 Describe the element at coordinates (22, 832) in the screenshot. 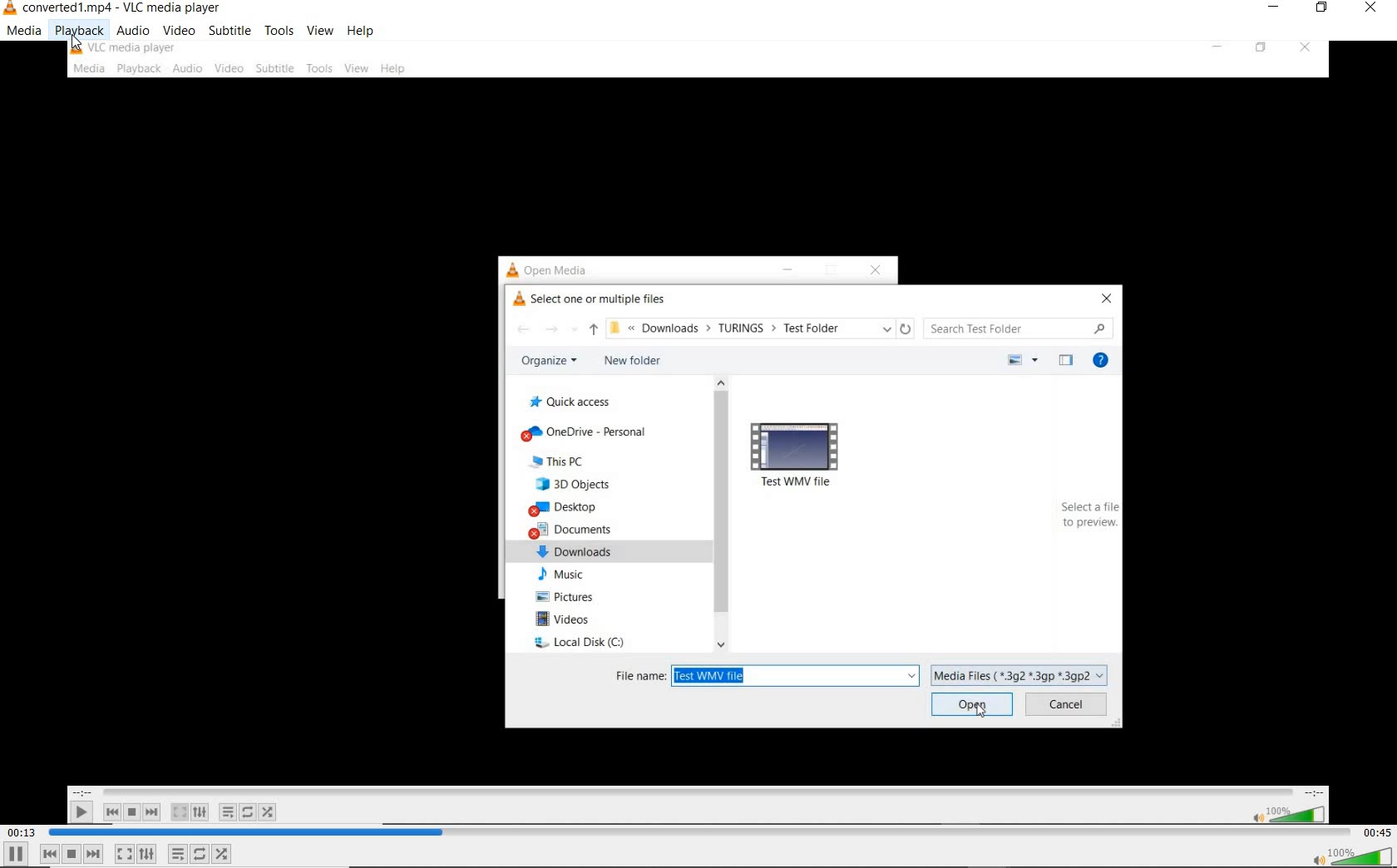

I see `elapsed time` at that location.